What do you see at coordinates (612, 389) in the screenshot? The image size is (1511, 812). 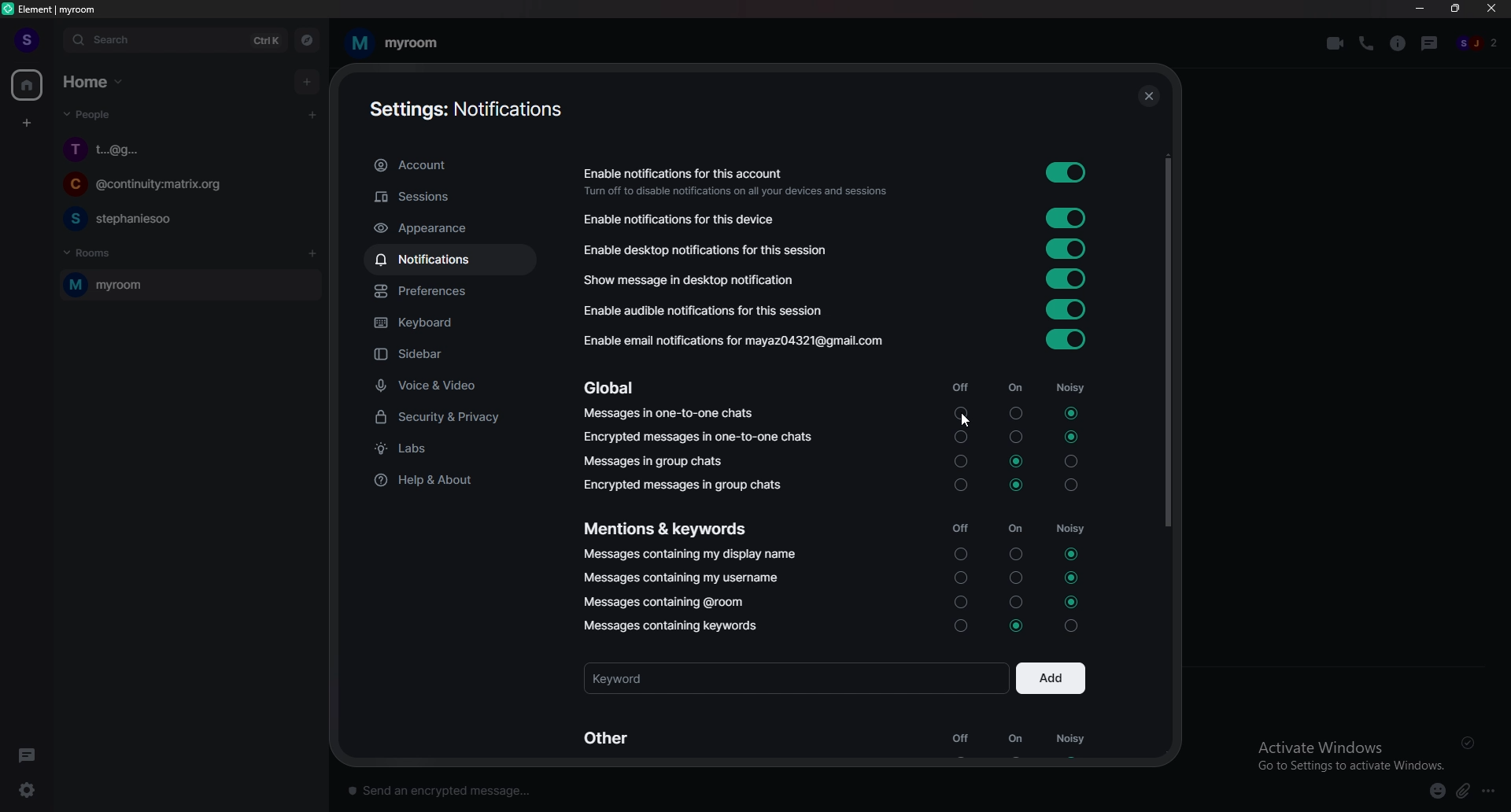 I see `Global` at bounding box center [612, 389].